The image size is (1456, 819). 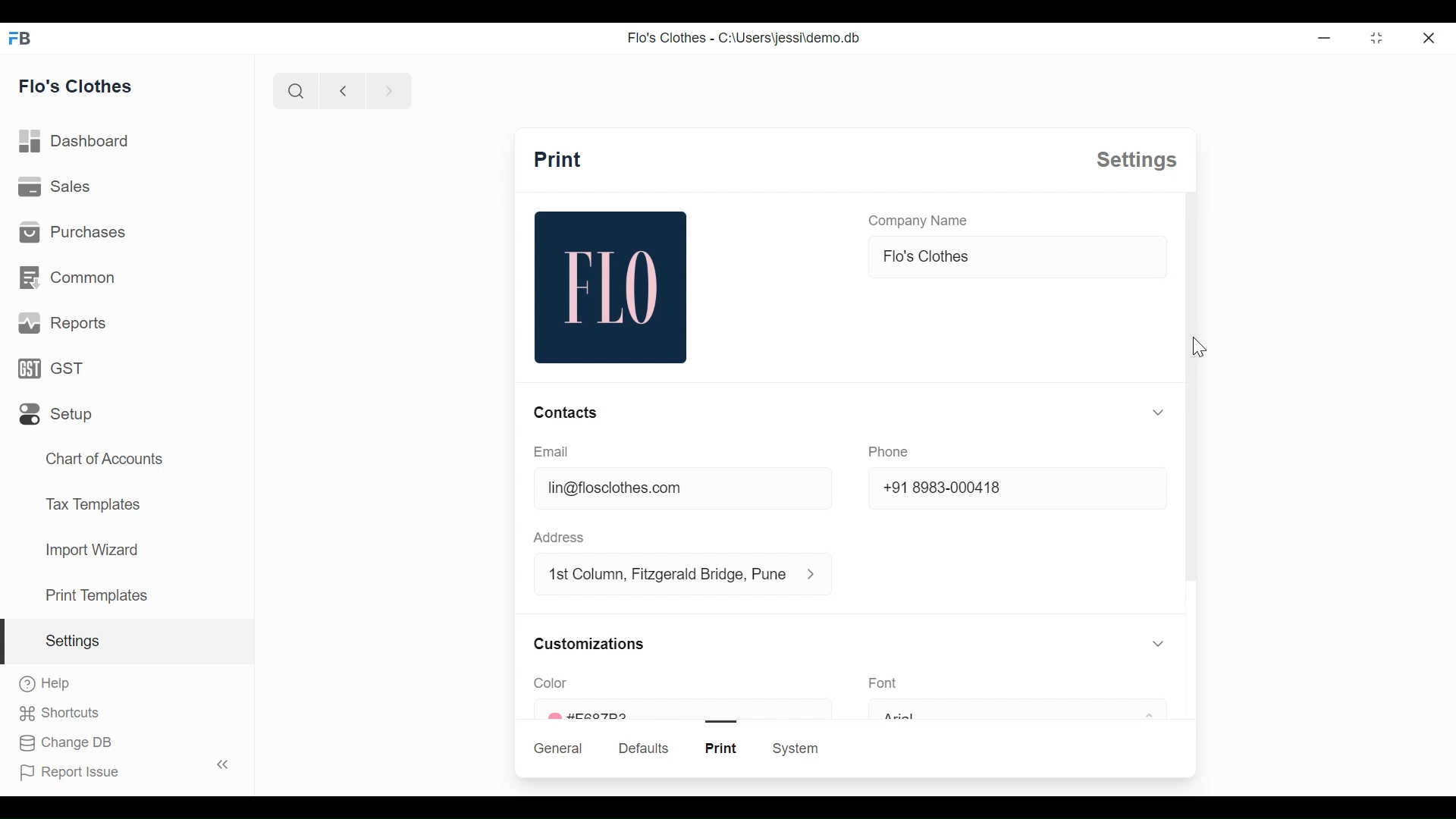 I want to click on company name, so click(x=918, y=221).